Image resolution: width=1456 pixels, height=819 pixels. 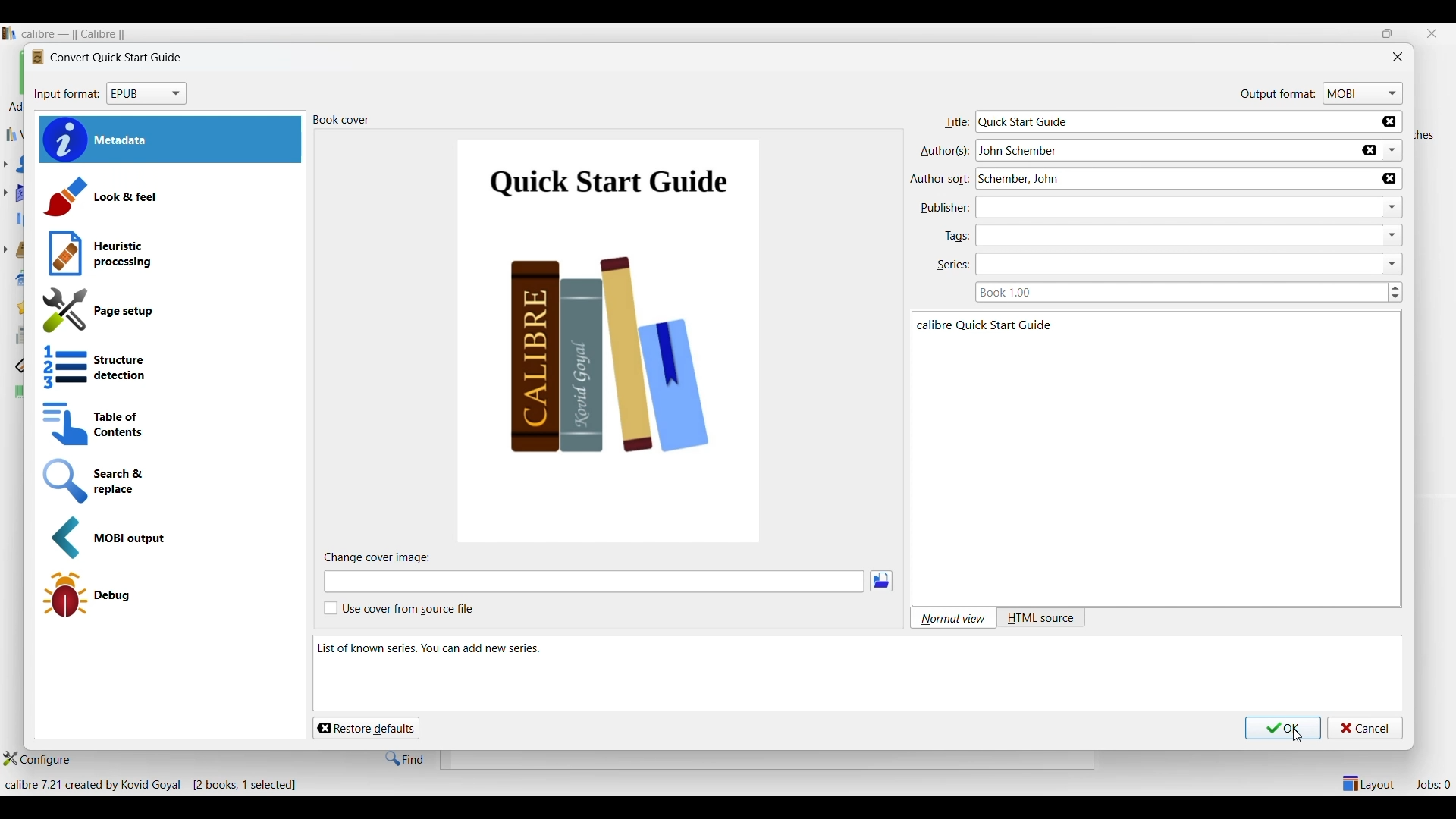 I want to click on Type in tags, so click(x=1173, y=235).